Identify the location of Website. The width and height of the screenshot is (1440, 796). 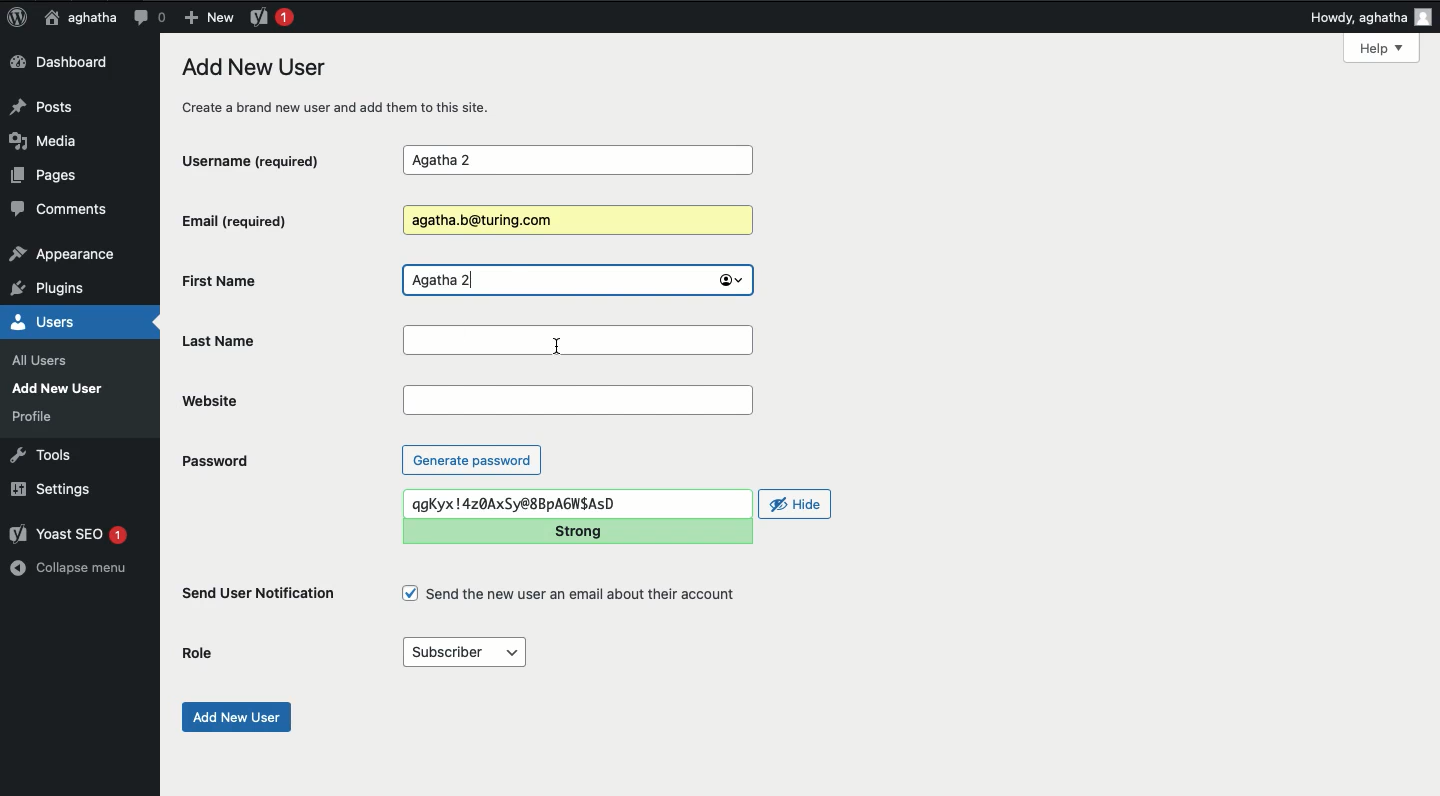
(578, 400).